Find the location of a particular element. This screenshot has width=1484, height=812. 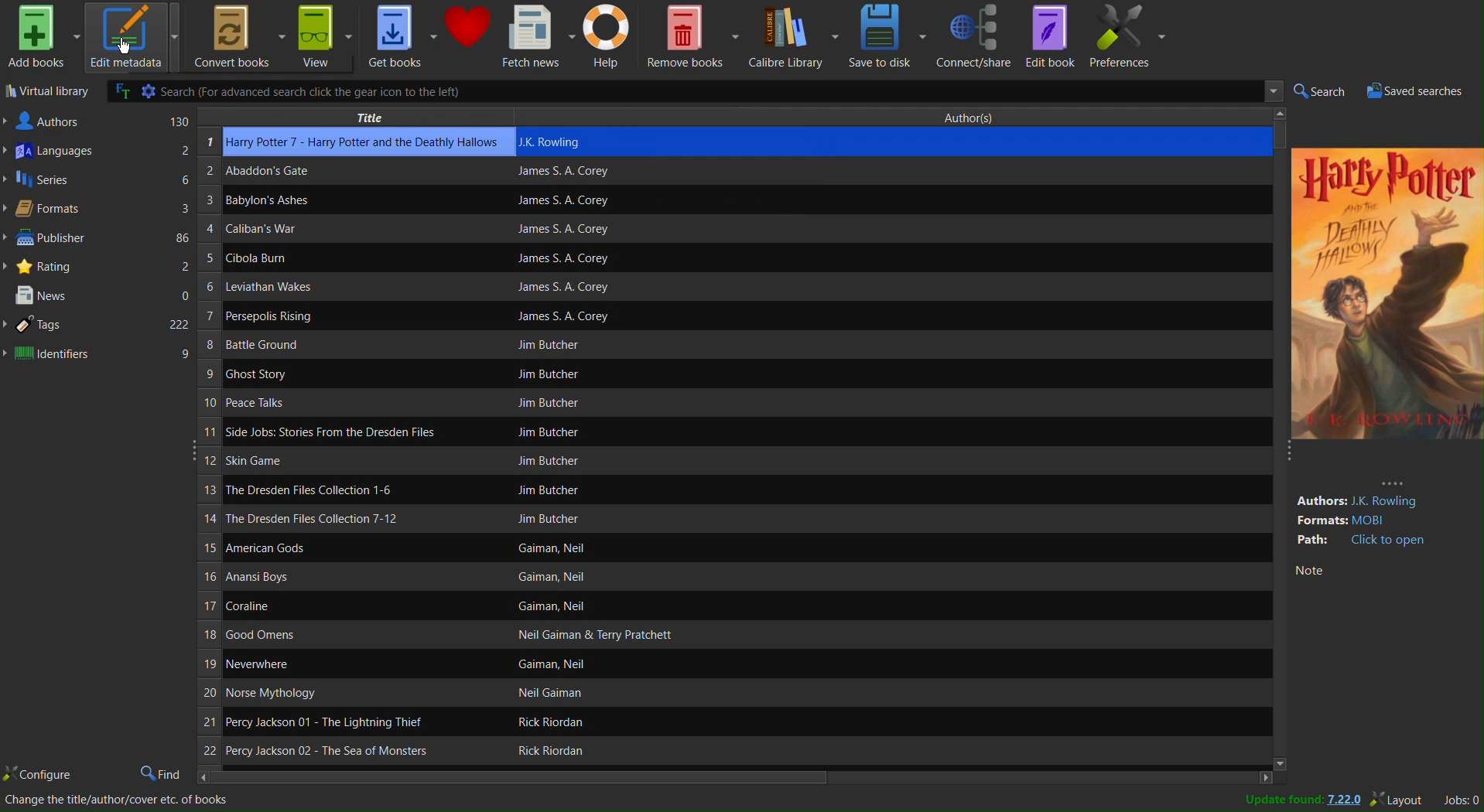

cursor is located at coordinates (123, 49).